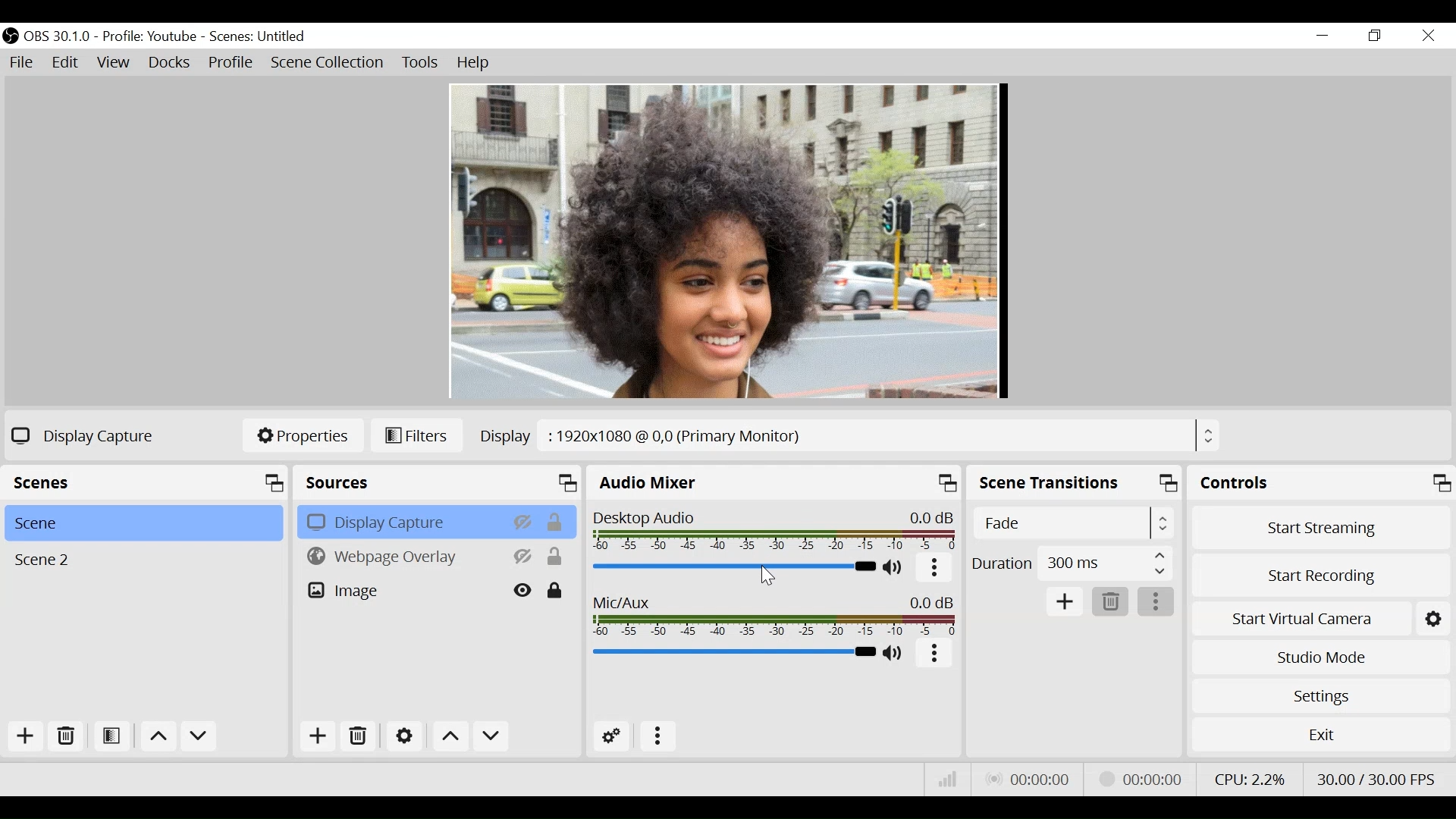  I want to click on OBS Version, so click(58, 37).